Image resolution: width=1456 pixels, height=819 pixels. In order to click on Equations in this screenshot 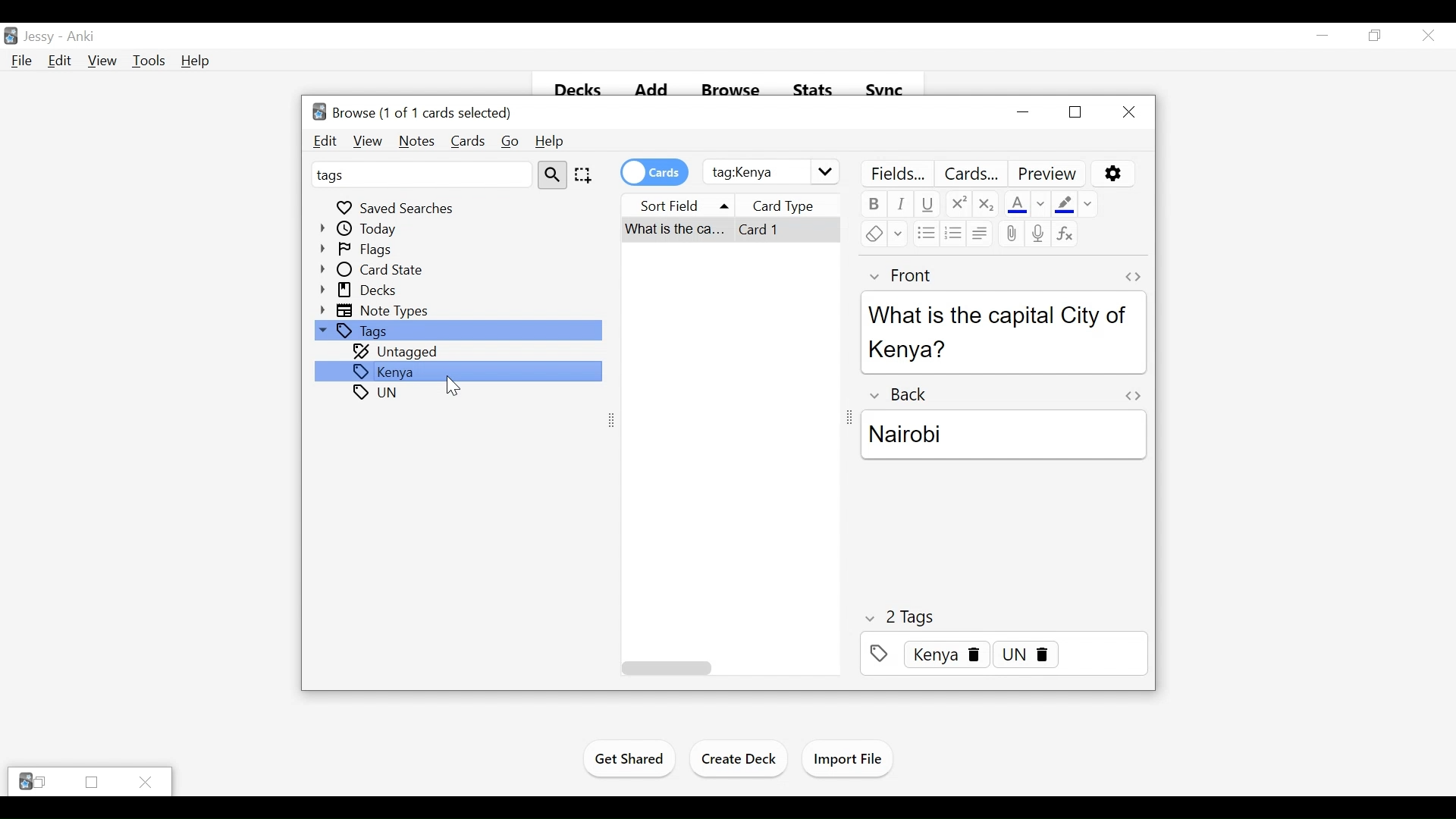, I will do `click(1065, 234)`.